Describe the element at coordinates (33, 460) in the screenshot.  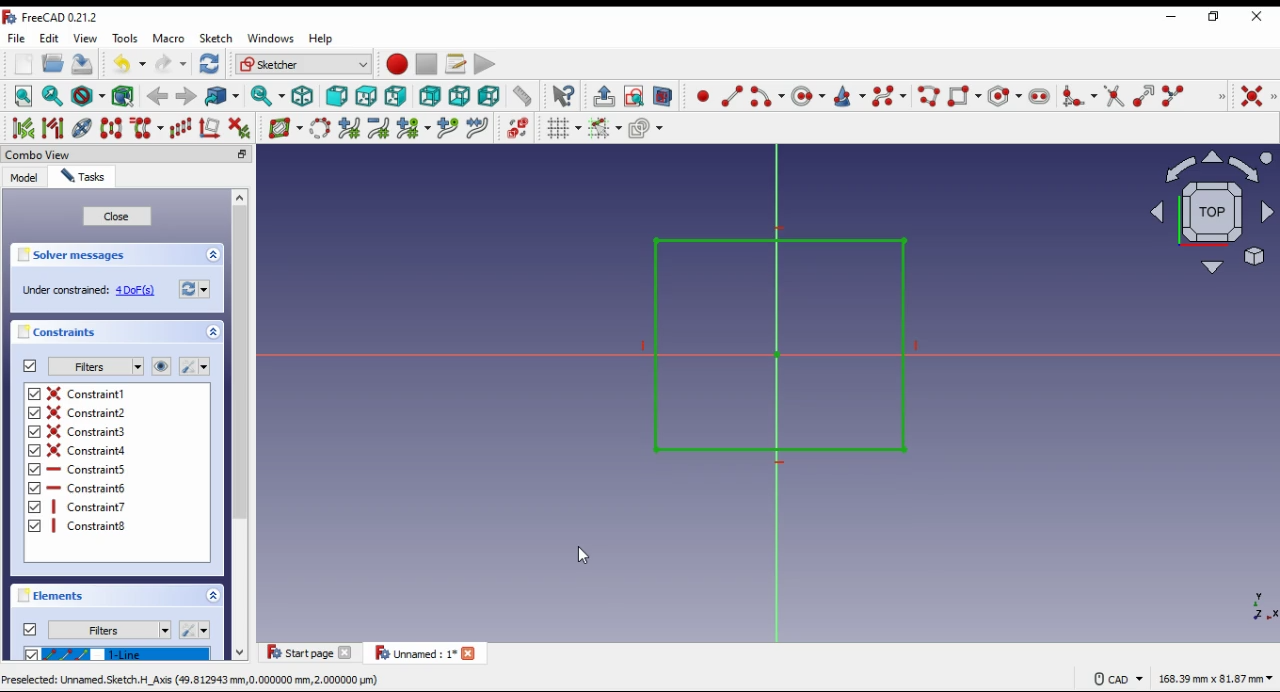
I see `checkbox` at that location.